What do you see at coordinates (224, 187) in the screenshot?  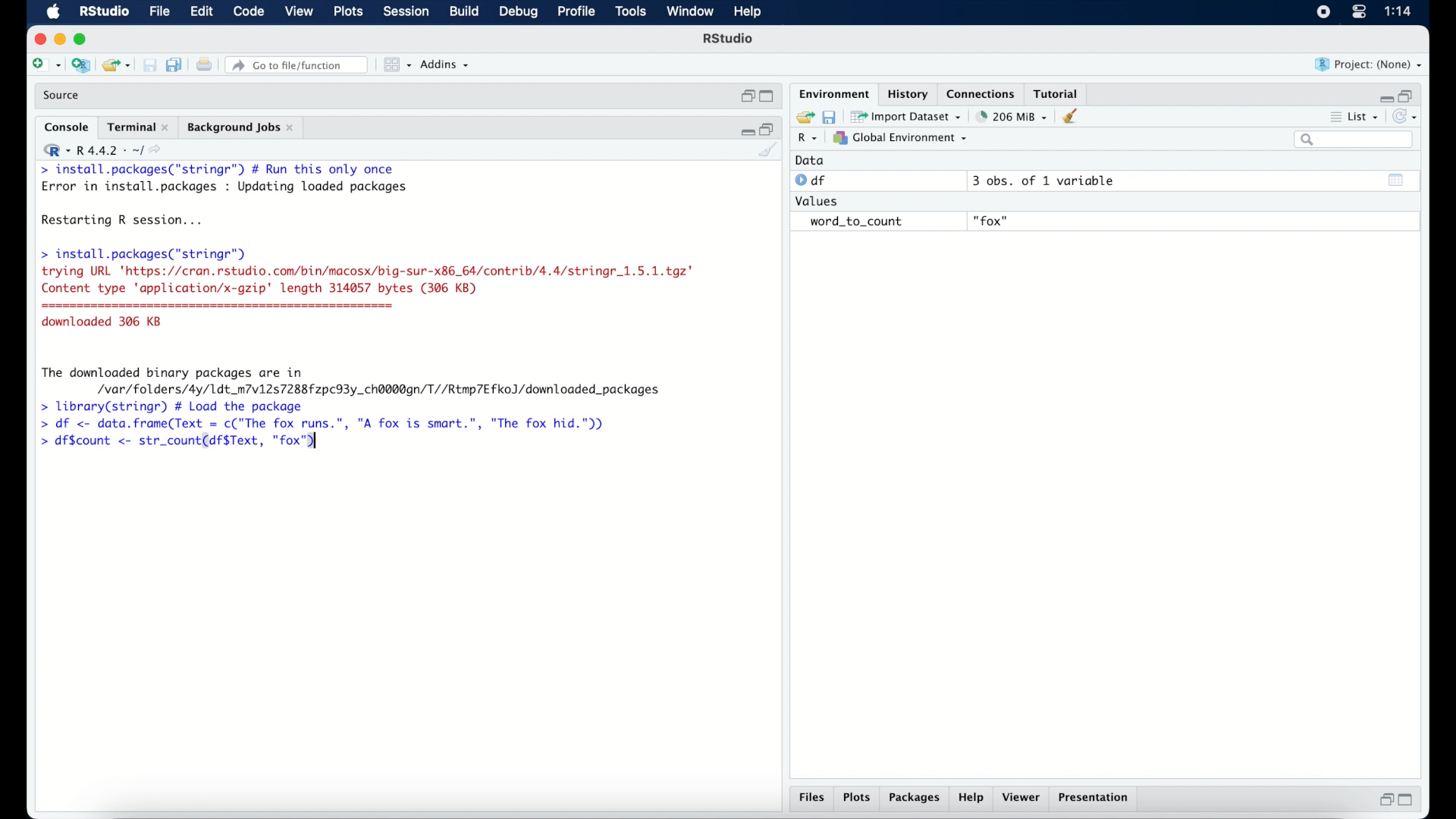 I see `Error in install.packages : Updating loaded packages` at bounding box center [224, 187].